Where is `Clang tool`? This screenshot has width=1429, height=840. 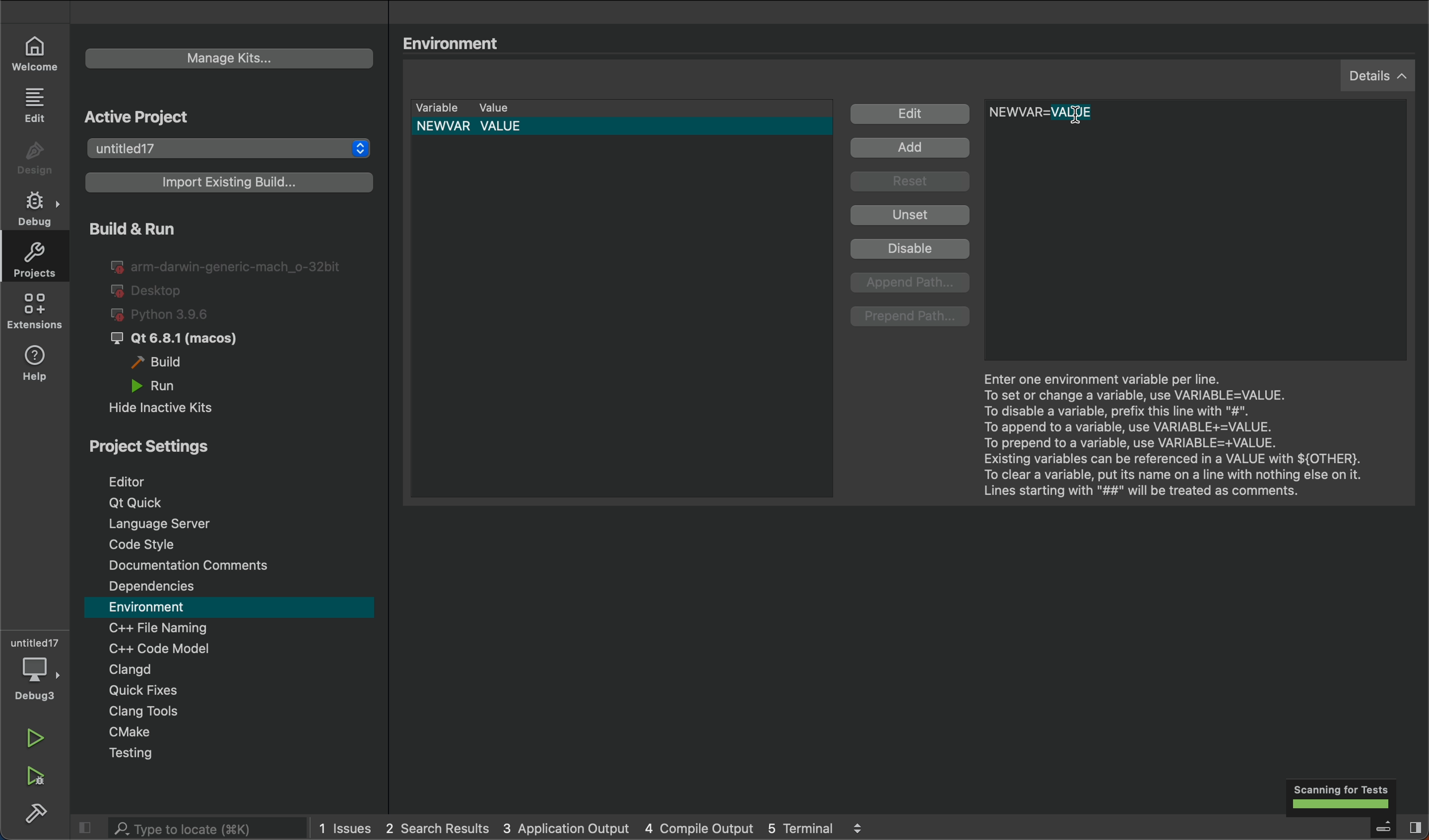
Clang tool is located at coordinates (238, 712).